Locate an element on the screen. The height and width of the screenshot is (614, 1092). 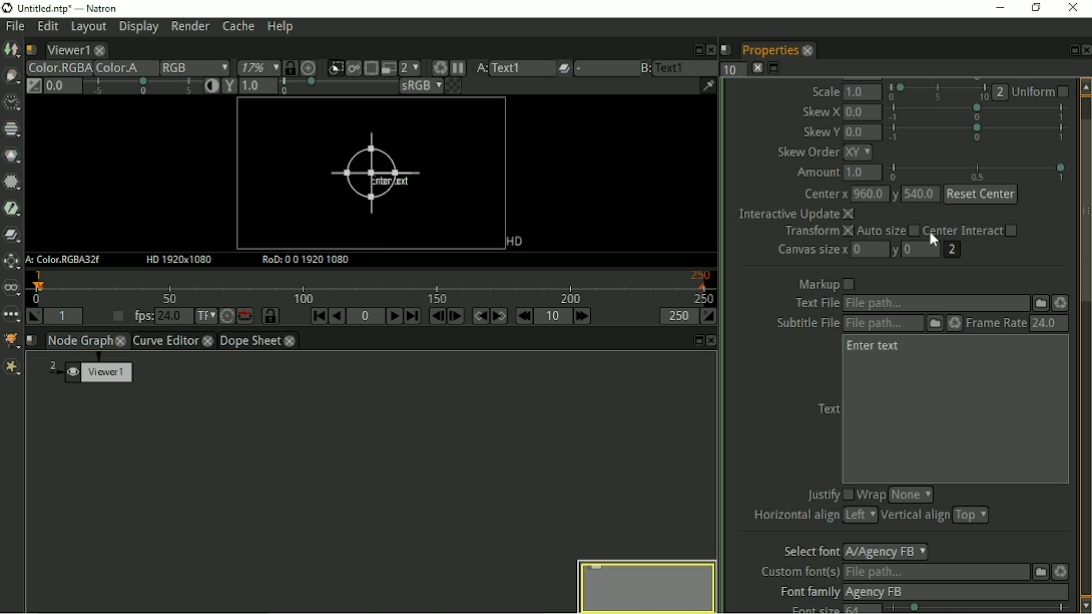
Skew X is located at coordinates (821, 111).